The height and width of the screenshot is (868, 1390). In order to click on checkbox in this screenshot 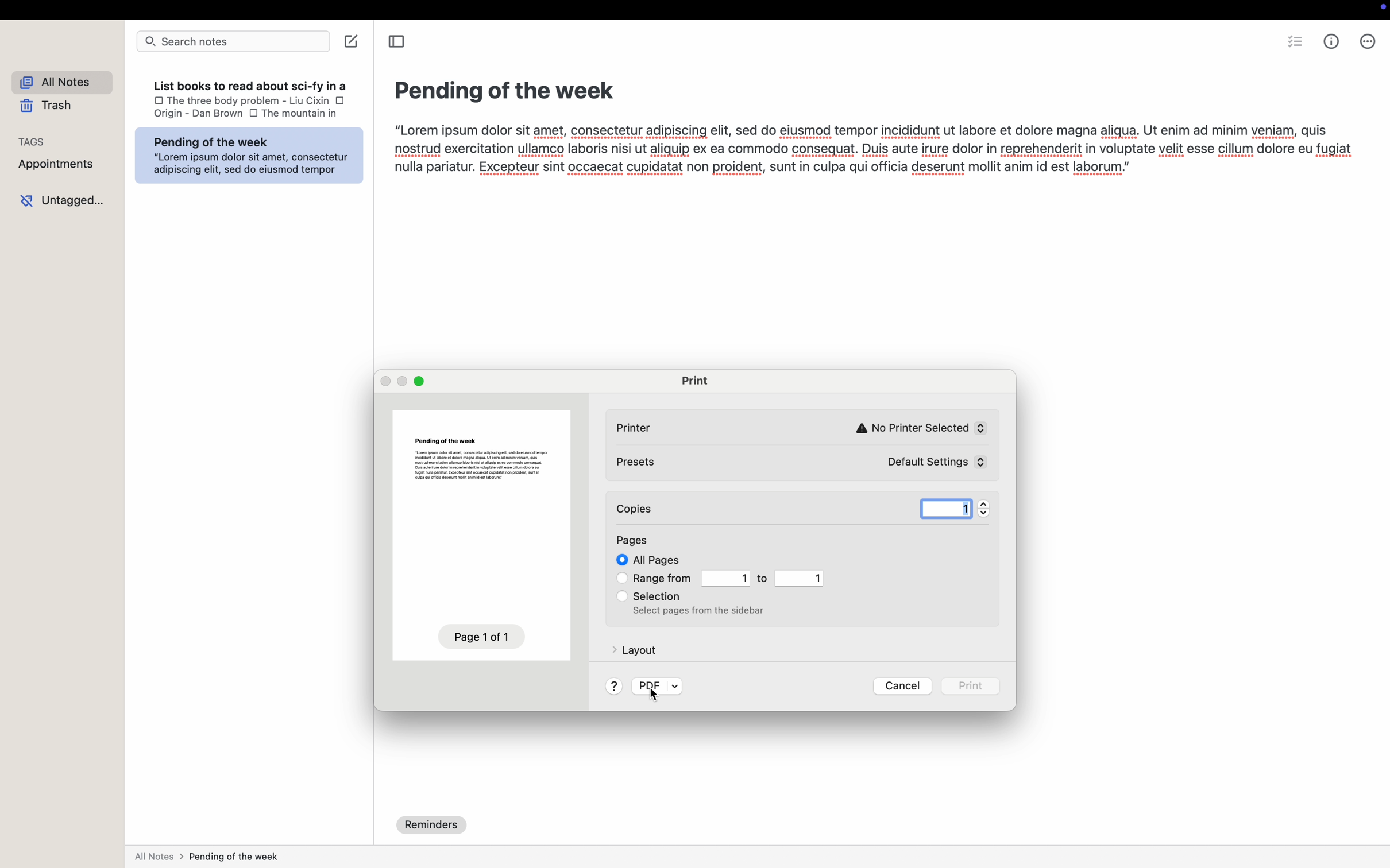, I will do `click(620, 579)`.